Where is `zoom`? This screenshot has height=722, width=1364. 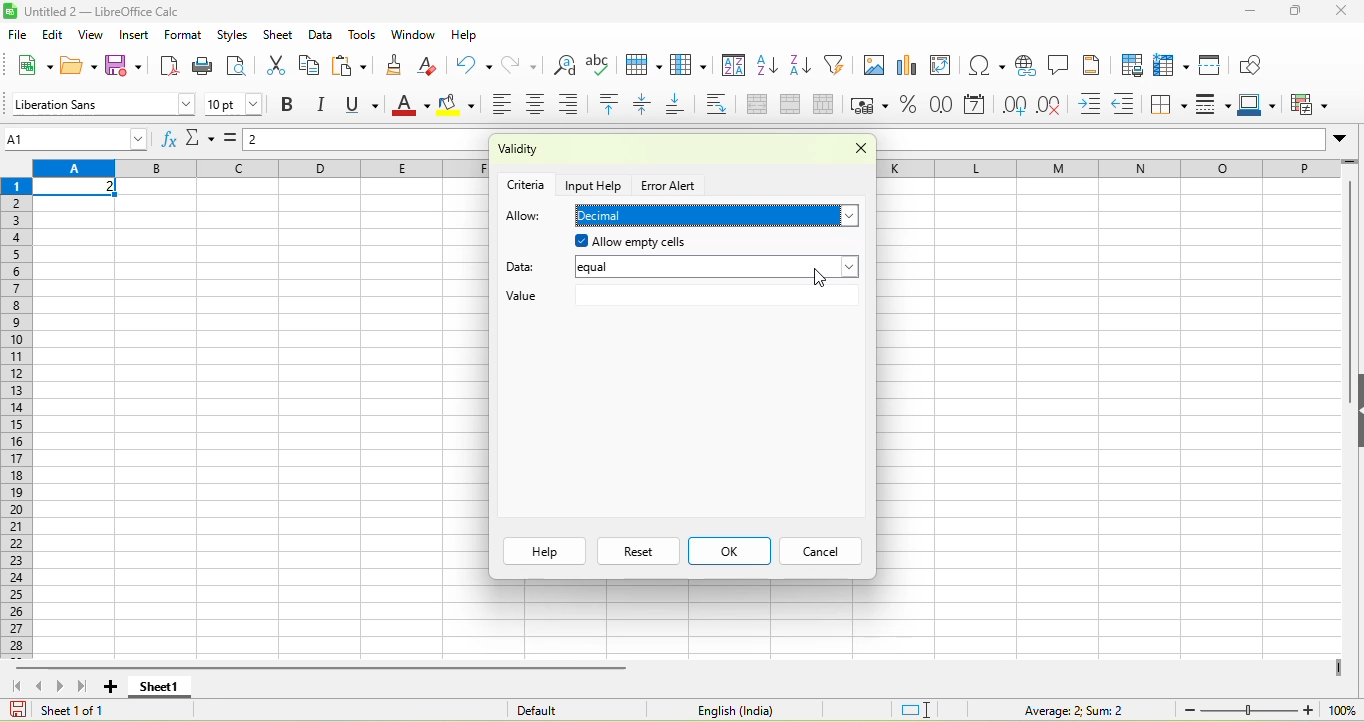
zoom is located at coordinates (1249, 709).